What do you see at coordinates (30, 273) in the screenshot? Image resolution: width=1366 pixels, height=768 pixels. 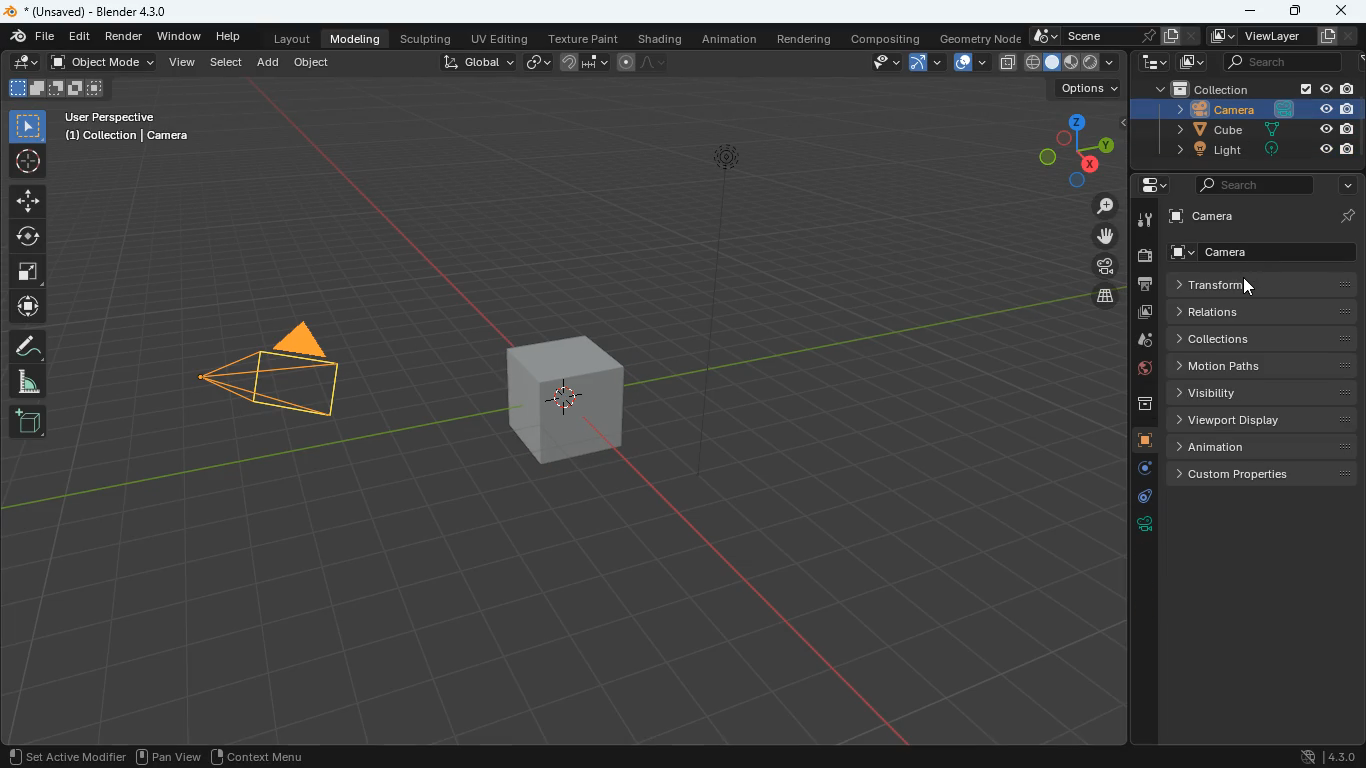 I see `full screen` at bounding box center [30, 273].